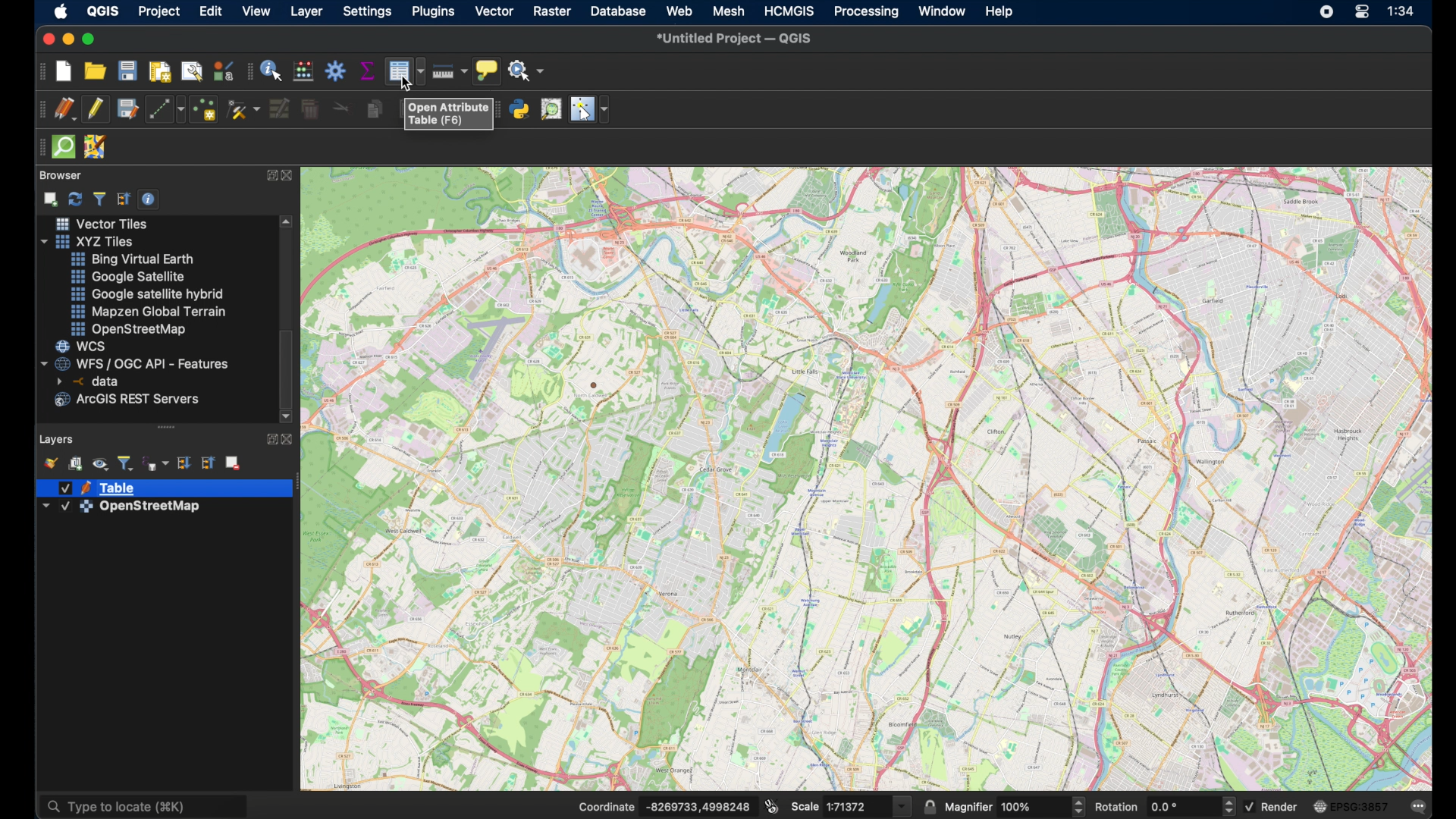 Image resolution: width=1456 pixels, height=819 pixels. What do you see at coordinates (126, 461) in the screenshot?
I see `filter legend` at bounding box center [126, 461].